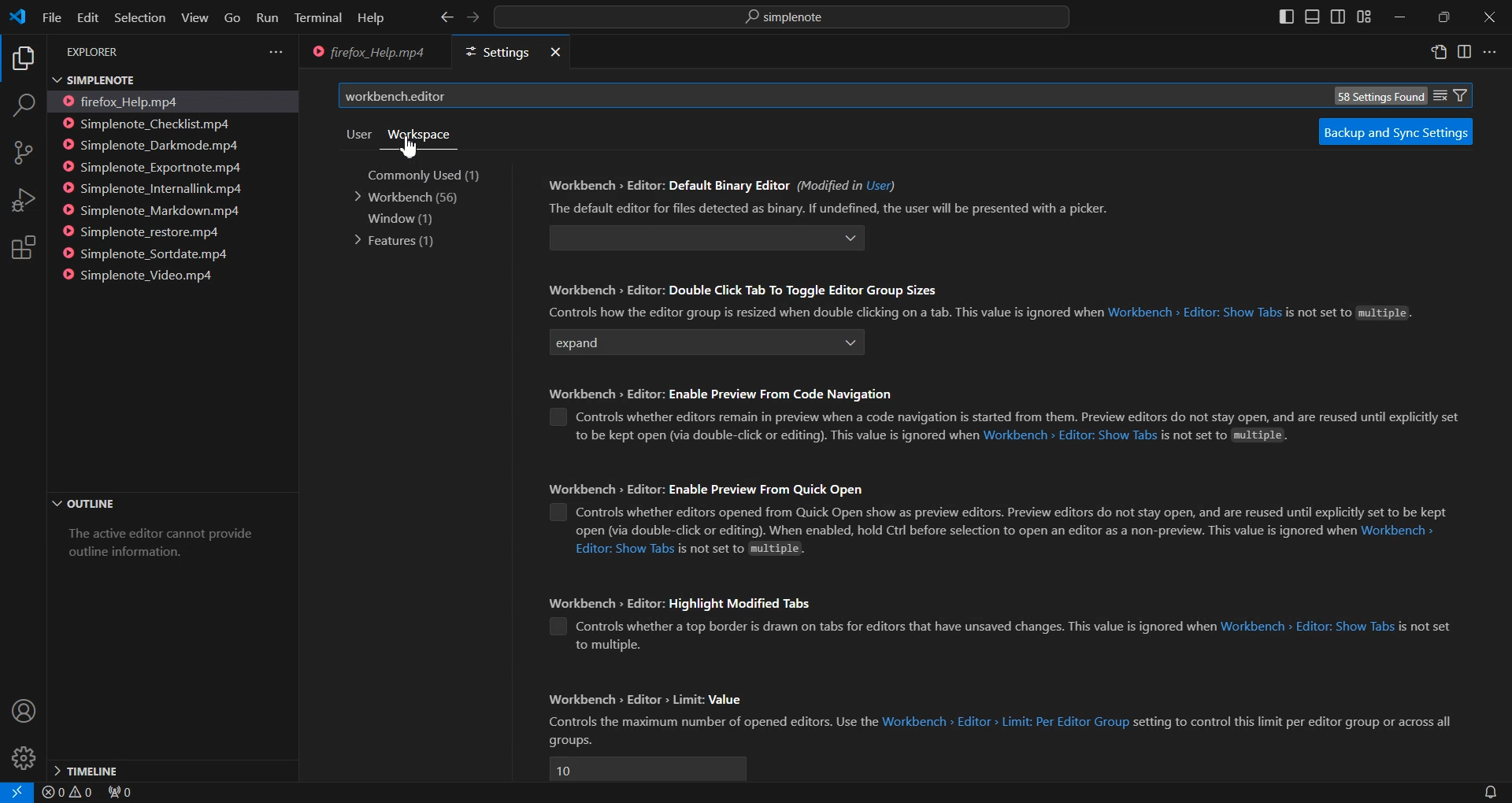 The width and height of the screenshot is (1512, 803). Describe the element at coordinates (150, 211) in the screenshot. I see `) Simplenote_Markdown.mp4` at that location.